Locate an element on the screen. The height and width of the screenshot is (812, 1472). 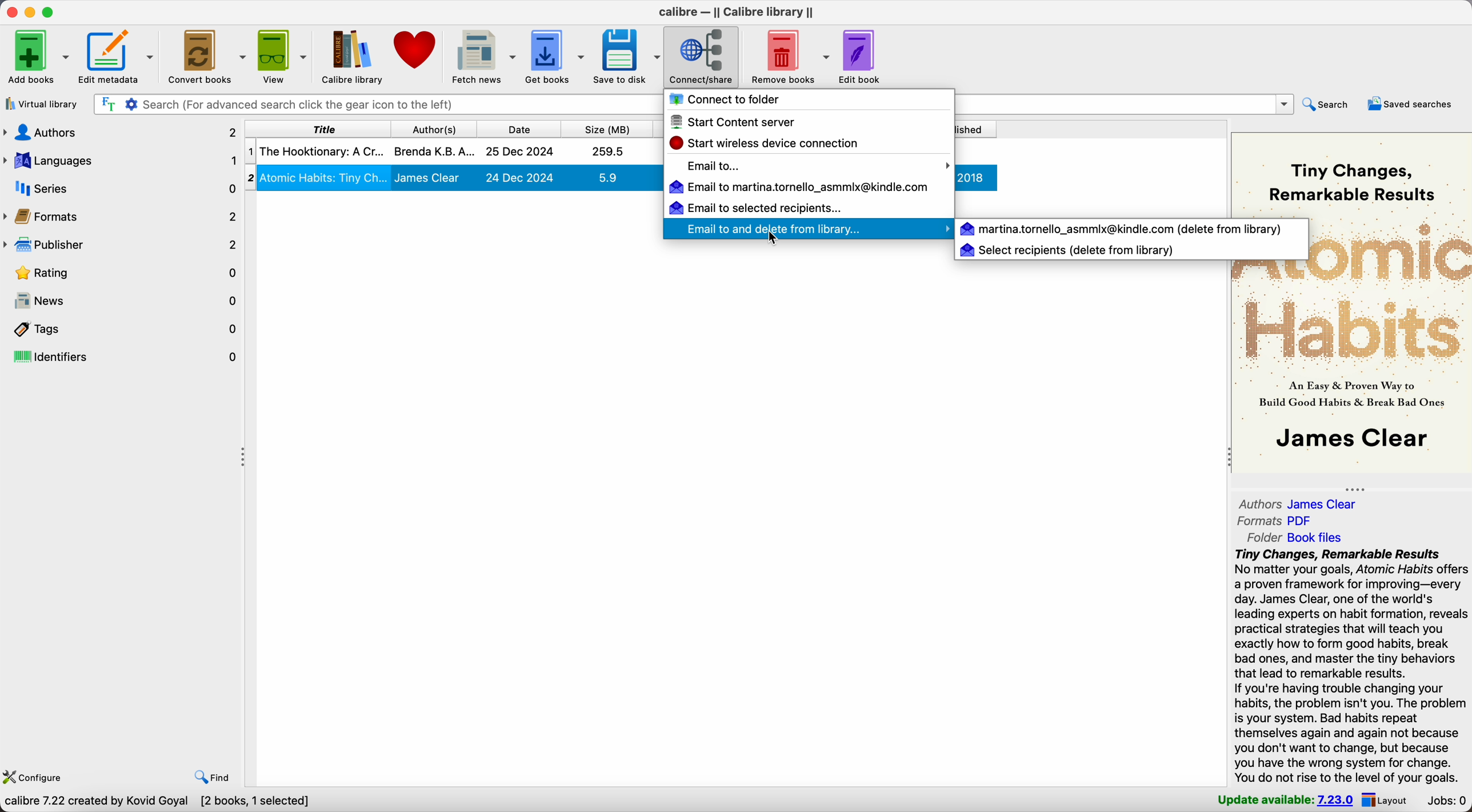
configure is located at coordinates (37, 776).